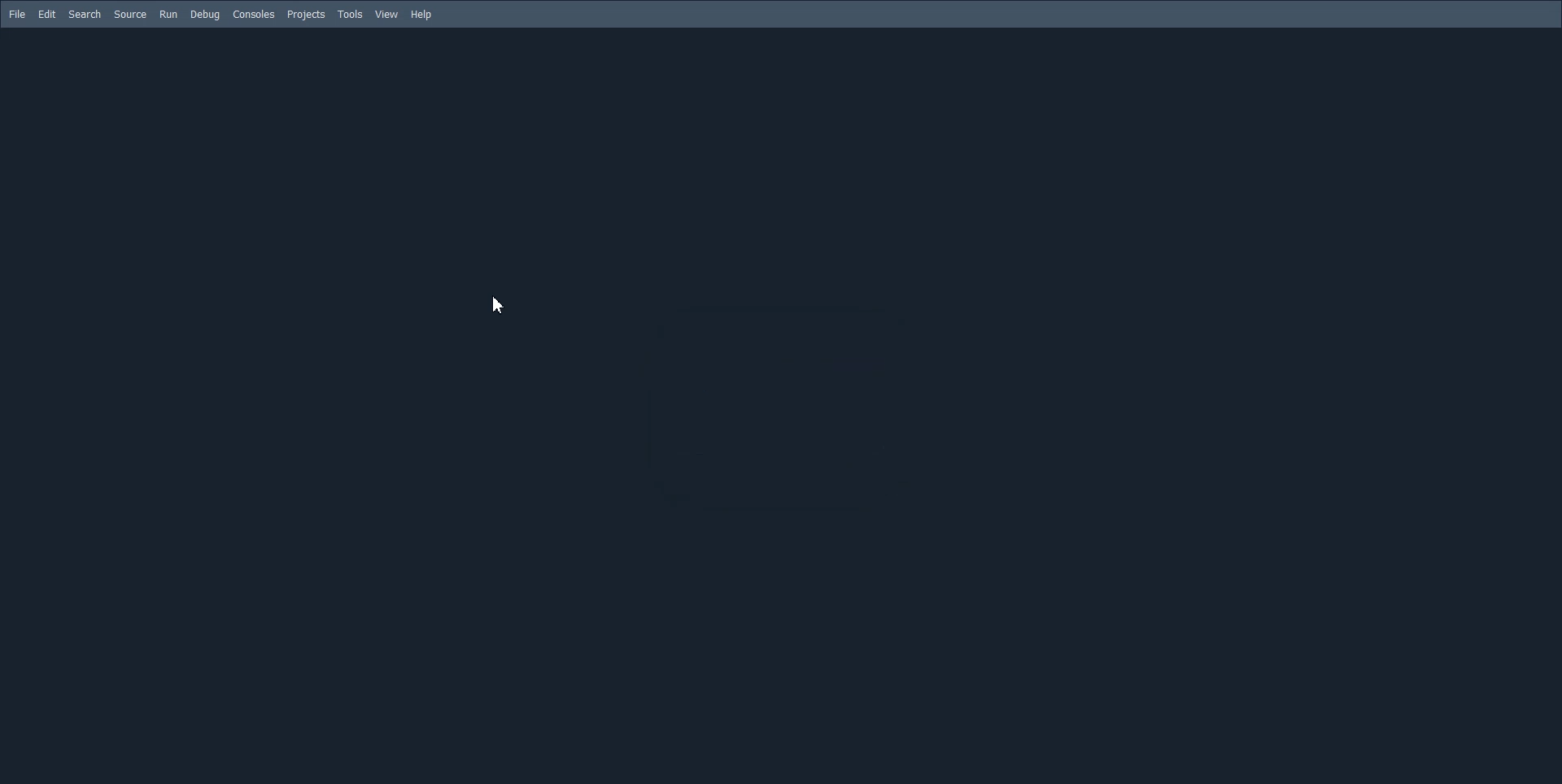  I want to click on Consoled, so click(255, 14).